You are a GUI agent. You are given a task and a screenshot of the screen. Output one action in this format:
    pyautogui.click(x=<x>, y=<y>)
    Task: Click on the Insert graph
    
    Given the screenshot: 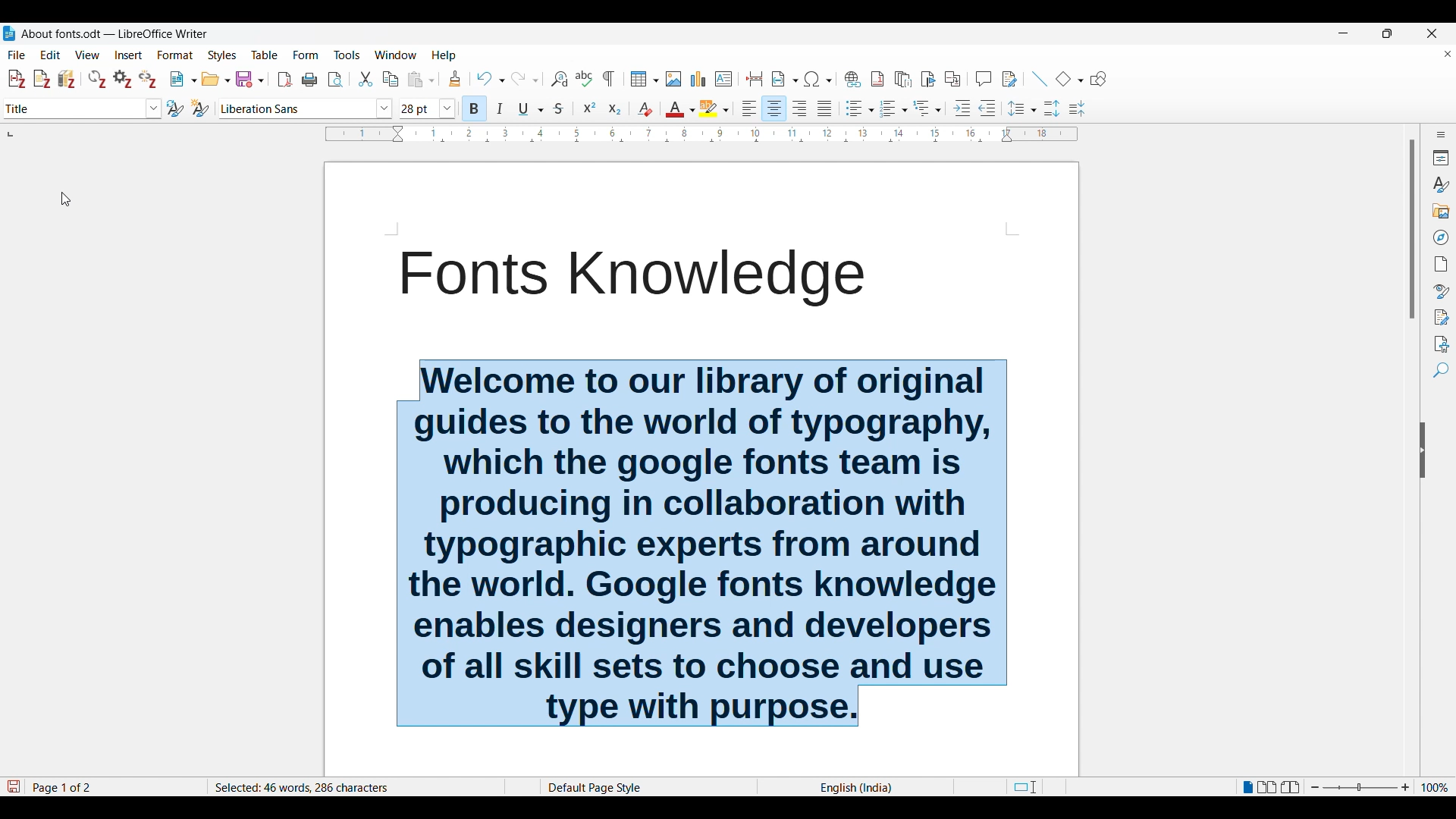 What is the action you would take?
    pyautogui.click(x=698, y=78)
    